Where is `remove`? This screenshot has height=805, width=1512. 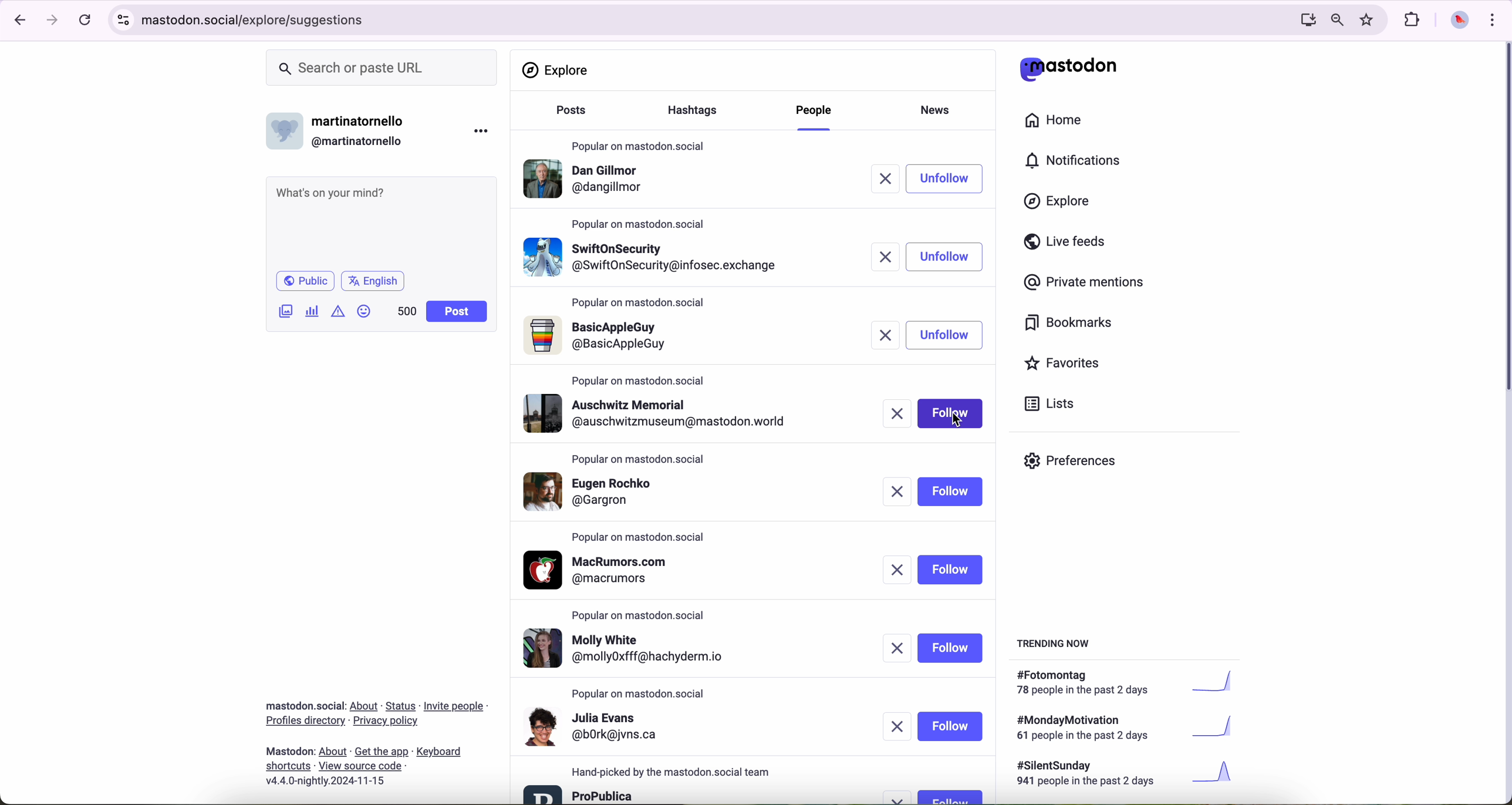
remove is located at coordinates (899, 726).